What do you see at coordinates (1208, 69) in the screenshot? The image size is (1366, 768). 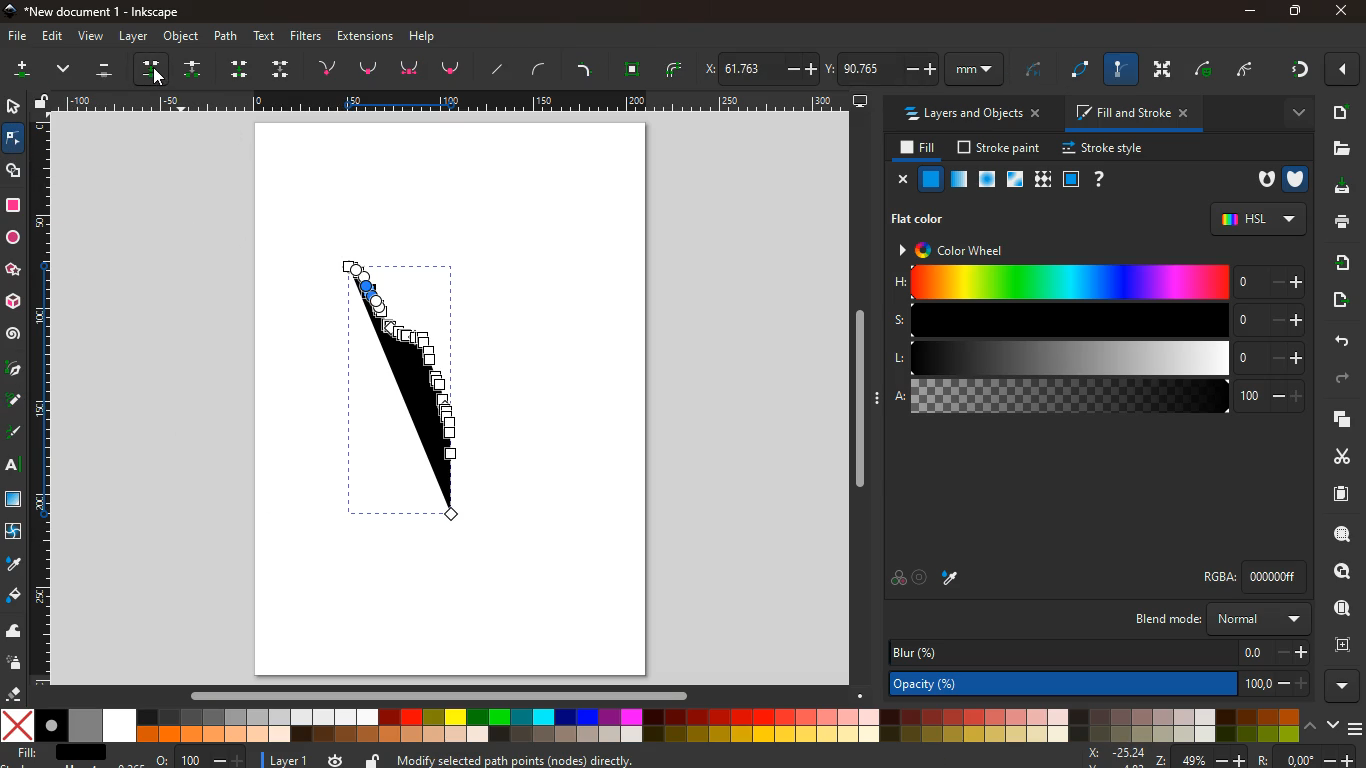 I see `curve` at bounding box center [1208, 69].